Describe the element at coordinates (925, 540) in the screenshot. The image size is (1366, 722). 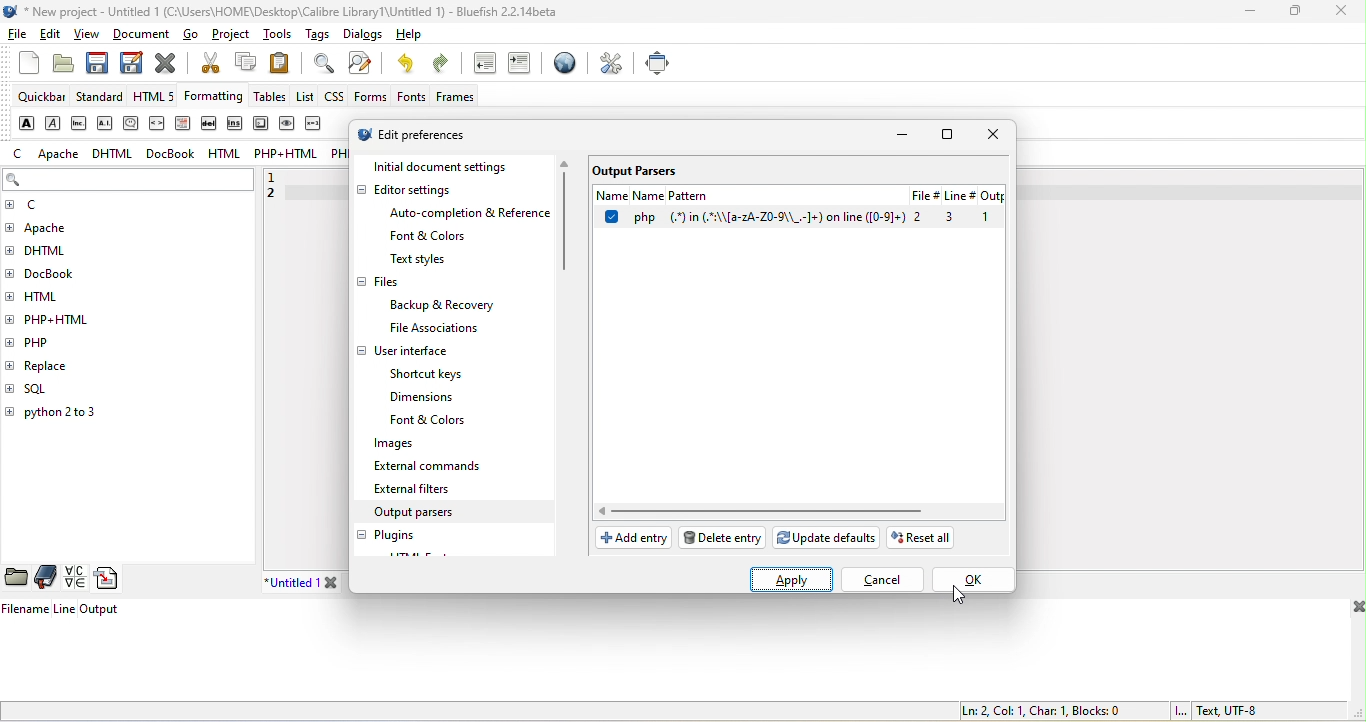
I see `reset all` at that location.